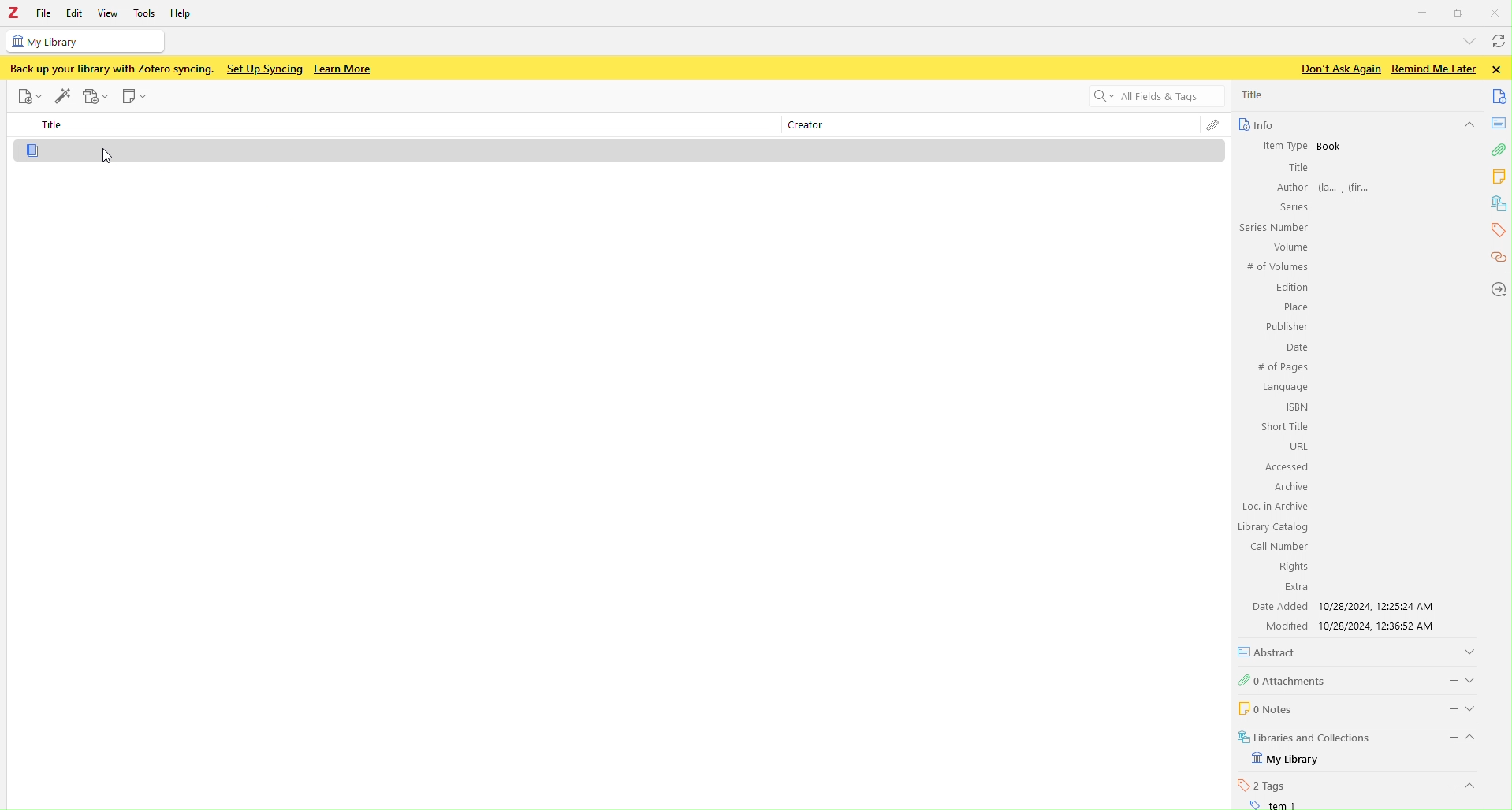 This screenshot has width=1512, height=810. I want to click on cursor, so click(107, 158).